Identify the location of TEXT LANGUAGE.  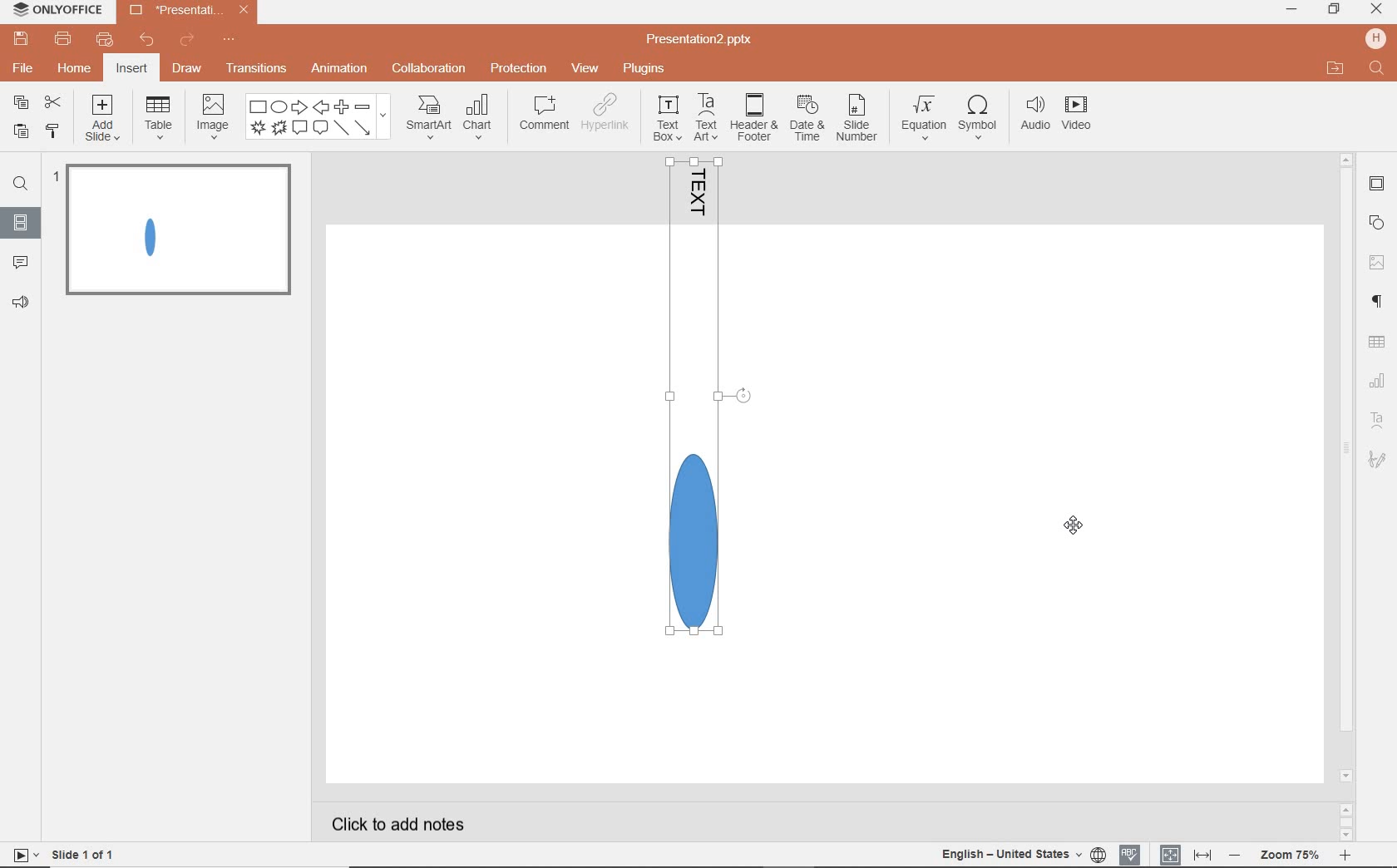
(1021, 855).